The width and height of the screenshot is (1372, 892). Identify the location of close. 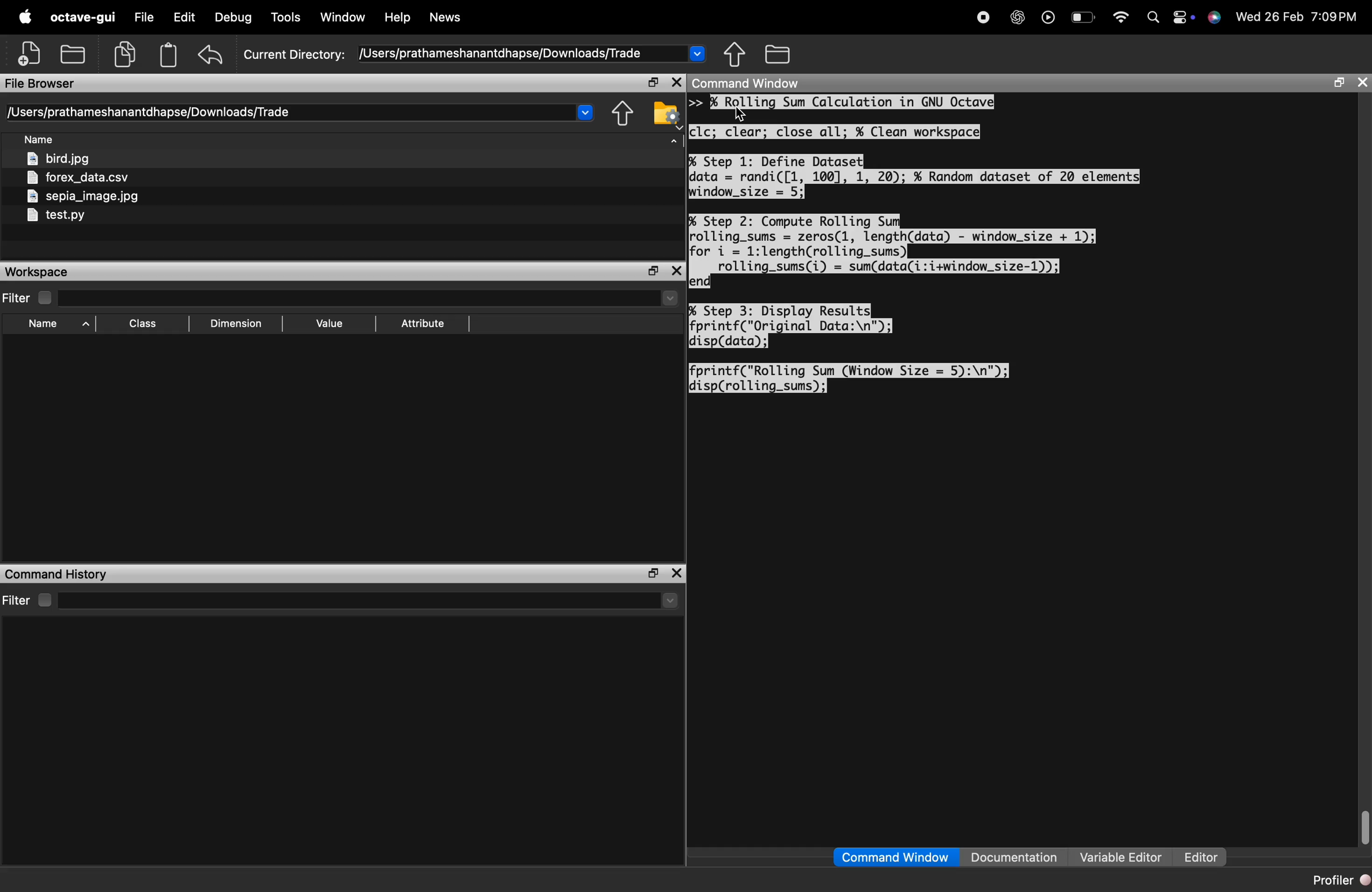
(677, 82).